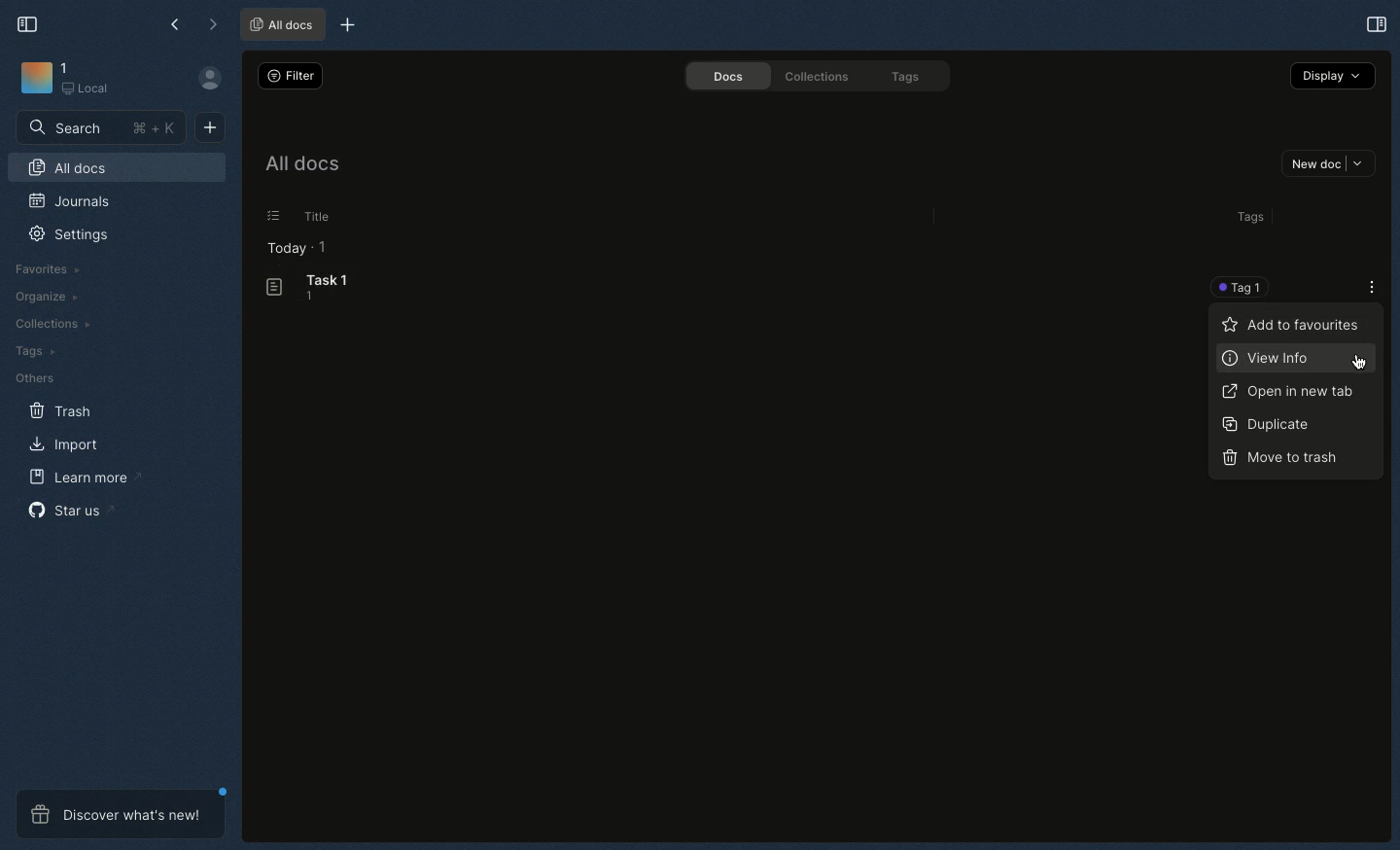 This screenshot has width=1400, height=850. Describe the element at coordinates (1268, 424) in the screenshot. I see `Duplicate` at that location.